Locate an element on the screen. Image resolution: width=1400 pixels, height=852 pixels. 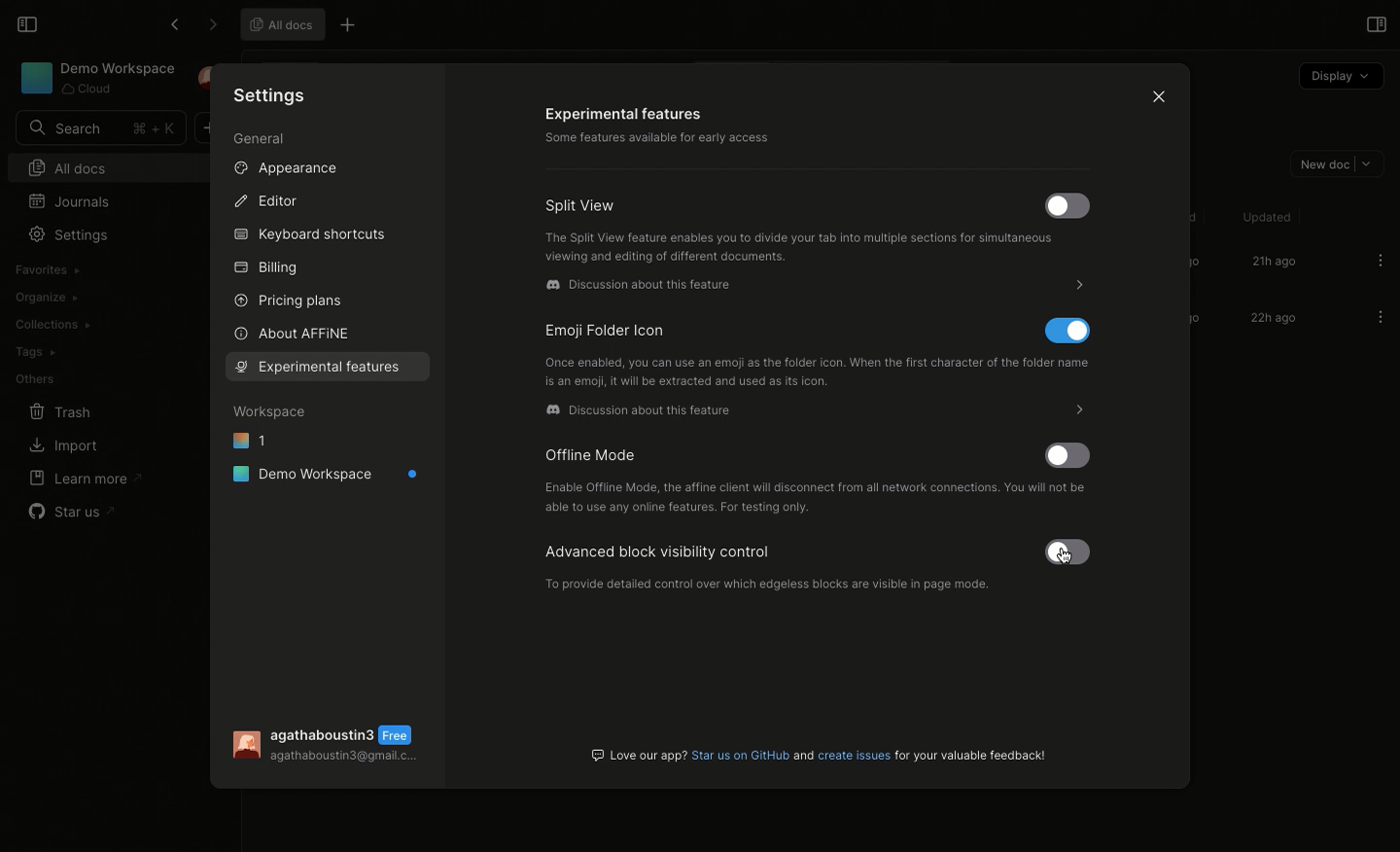
Collections is located at coordinates (52, 325).